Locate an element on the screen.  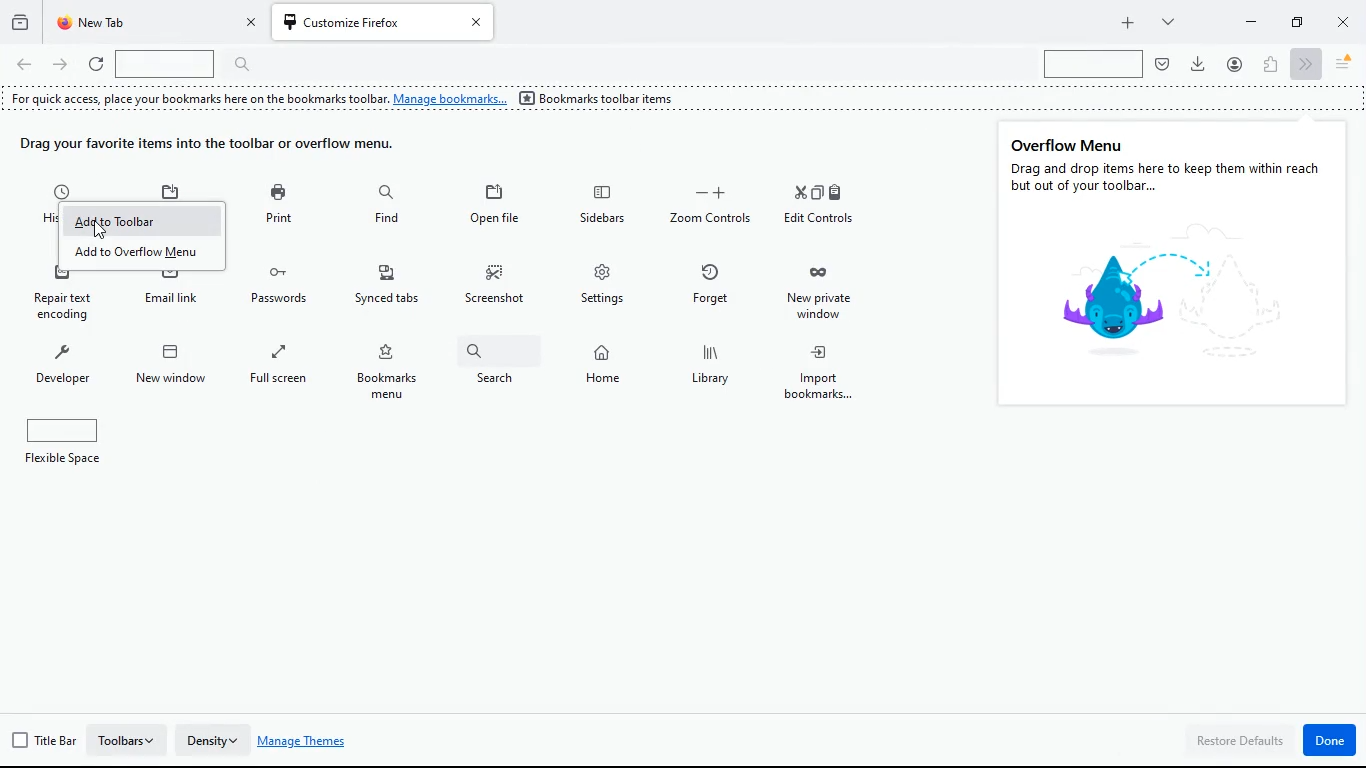
settings is located at coordinates (607, 285).